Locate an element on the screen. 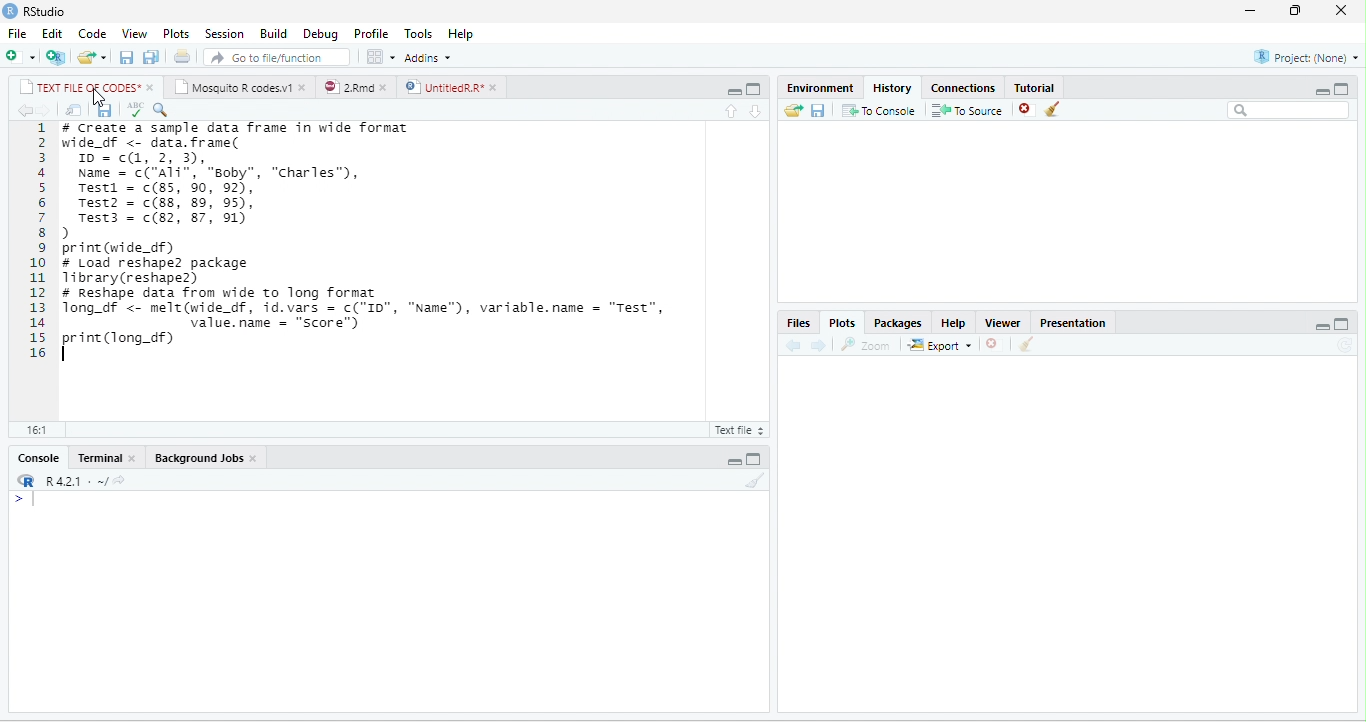 Image resolution: width=1366 pixels, height=722 pixels. clear is located at coordinates (1027, 344).